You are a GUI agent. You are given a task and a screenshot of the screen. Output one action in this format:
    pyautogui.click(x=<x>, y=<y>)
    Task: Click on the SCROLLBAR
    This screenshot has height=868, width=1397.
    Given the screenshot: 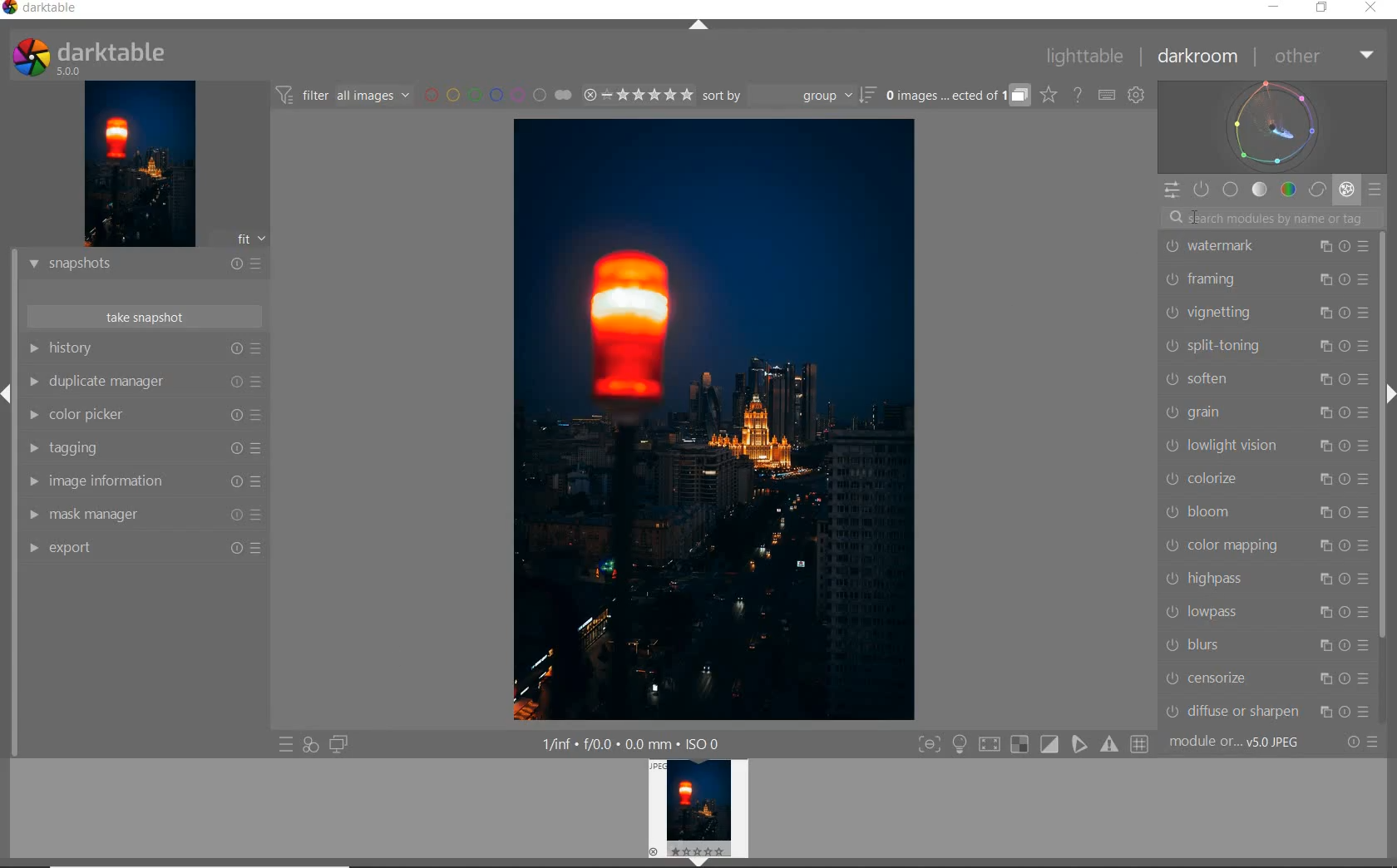 What is the action you would take?
    pyautogui.click(x=1384, y=436)
    